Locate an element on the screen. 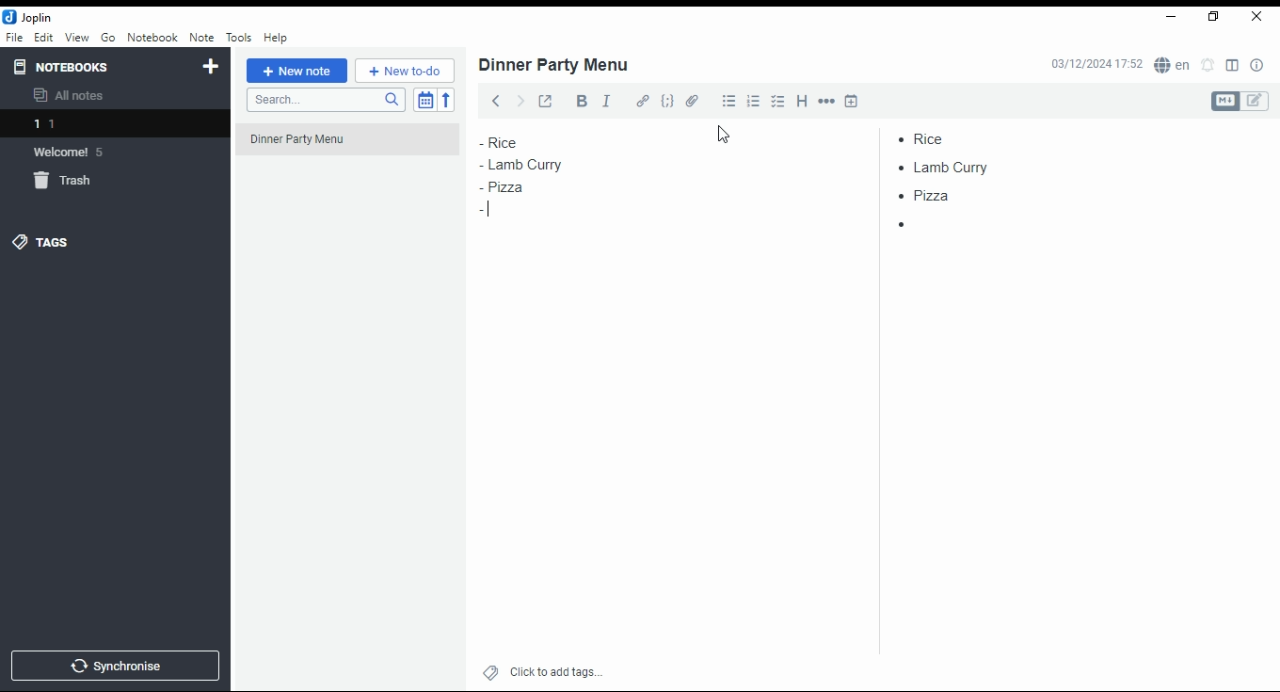 This screenshot has height=692, width=1280. bold is located at coordinates (578, 101).